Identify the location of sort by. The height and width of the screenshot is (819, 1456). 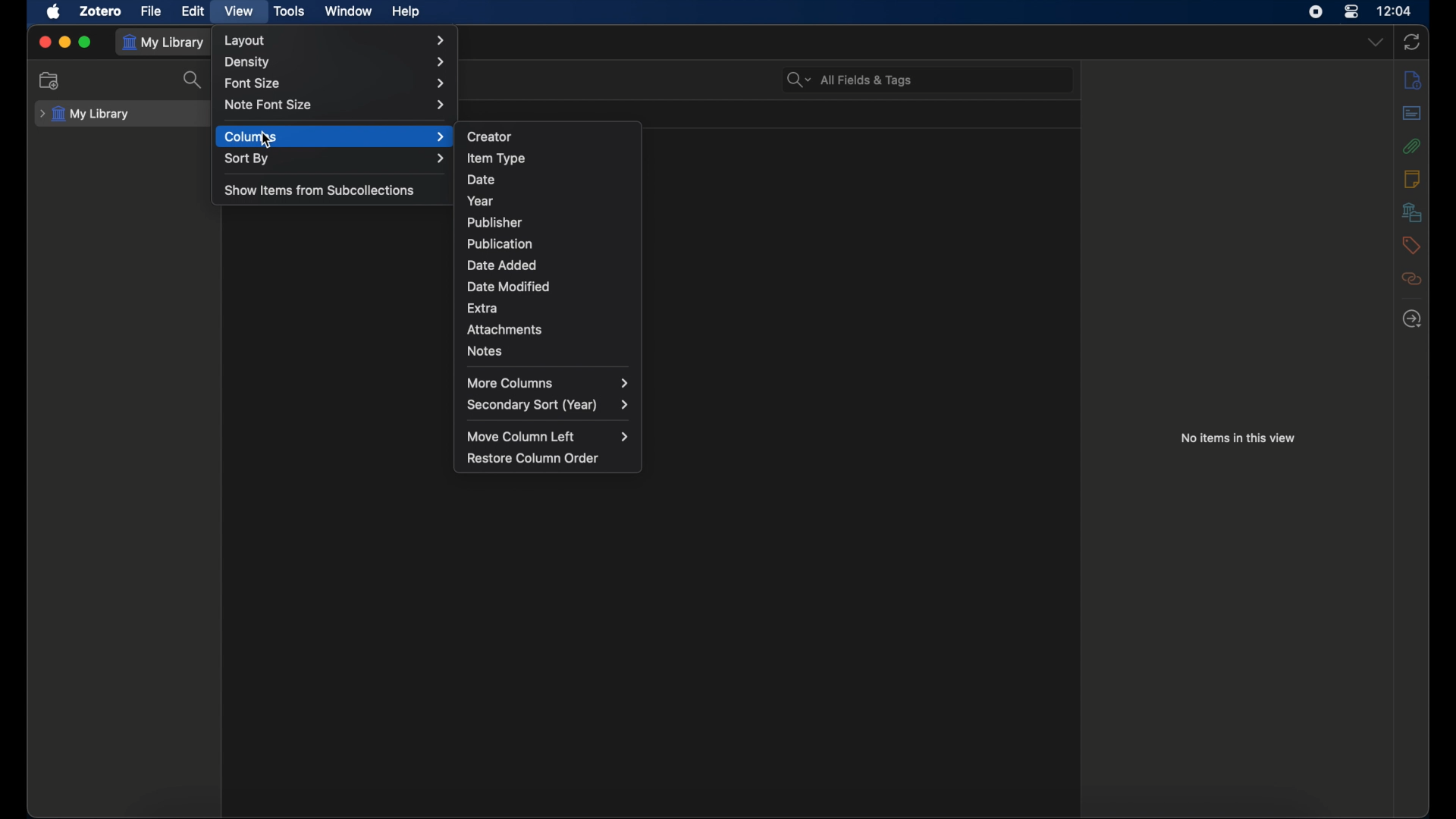
(335, 158).